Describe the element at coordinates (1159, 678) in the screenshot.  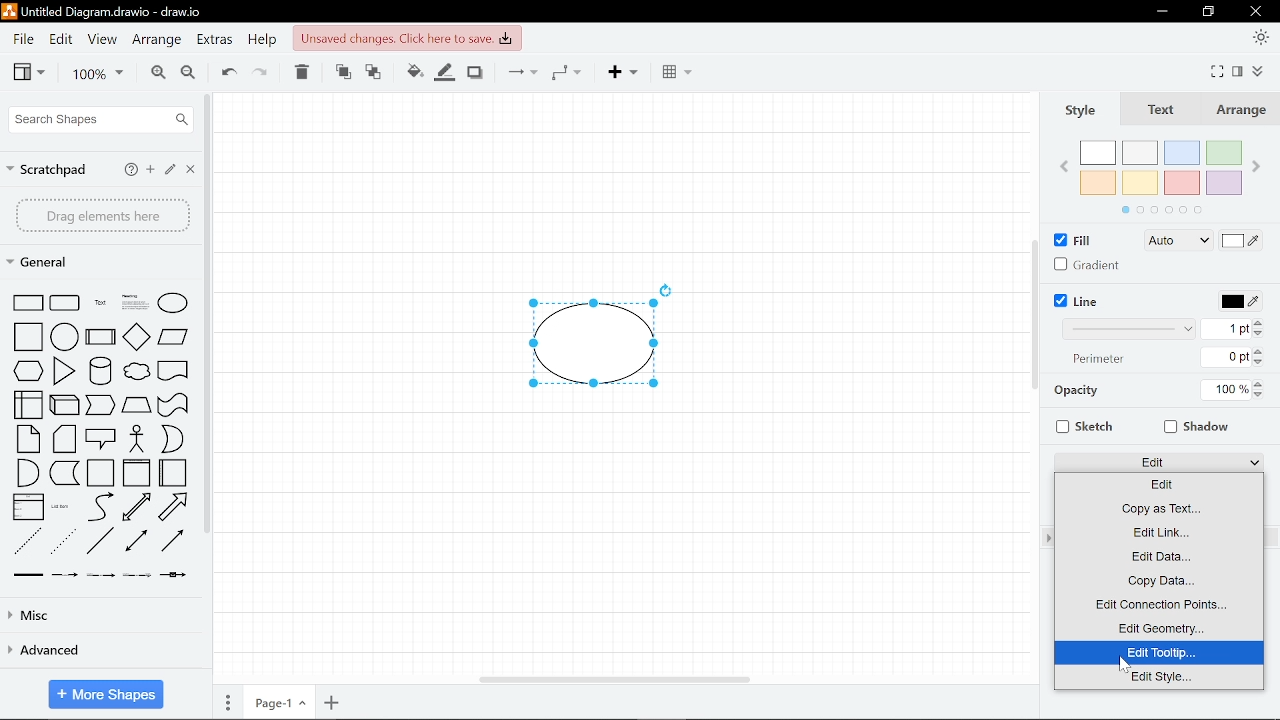
I see `EDIT STYLE` at that location.